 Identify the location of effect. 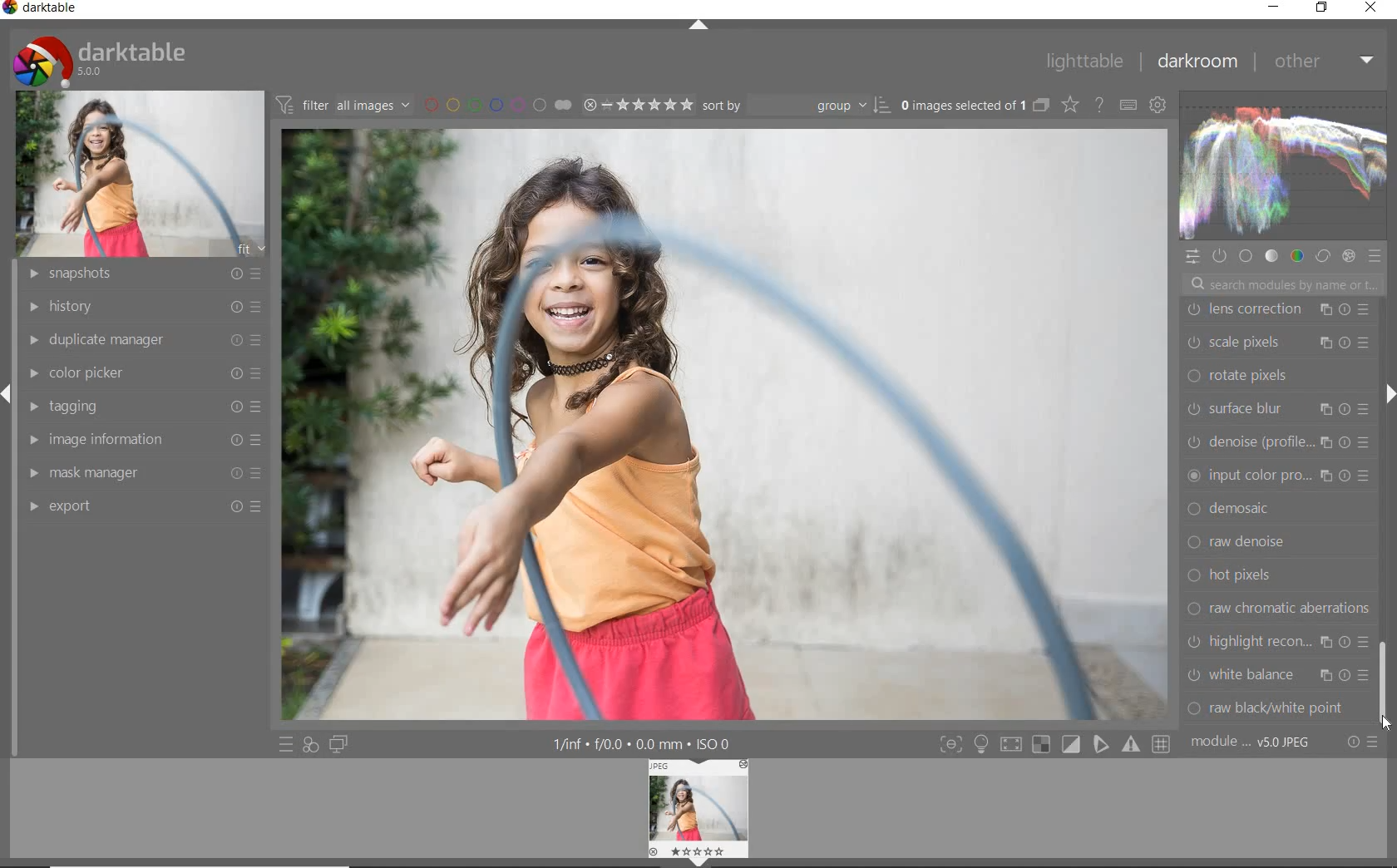
(1348, 255).